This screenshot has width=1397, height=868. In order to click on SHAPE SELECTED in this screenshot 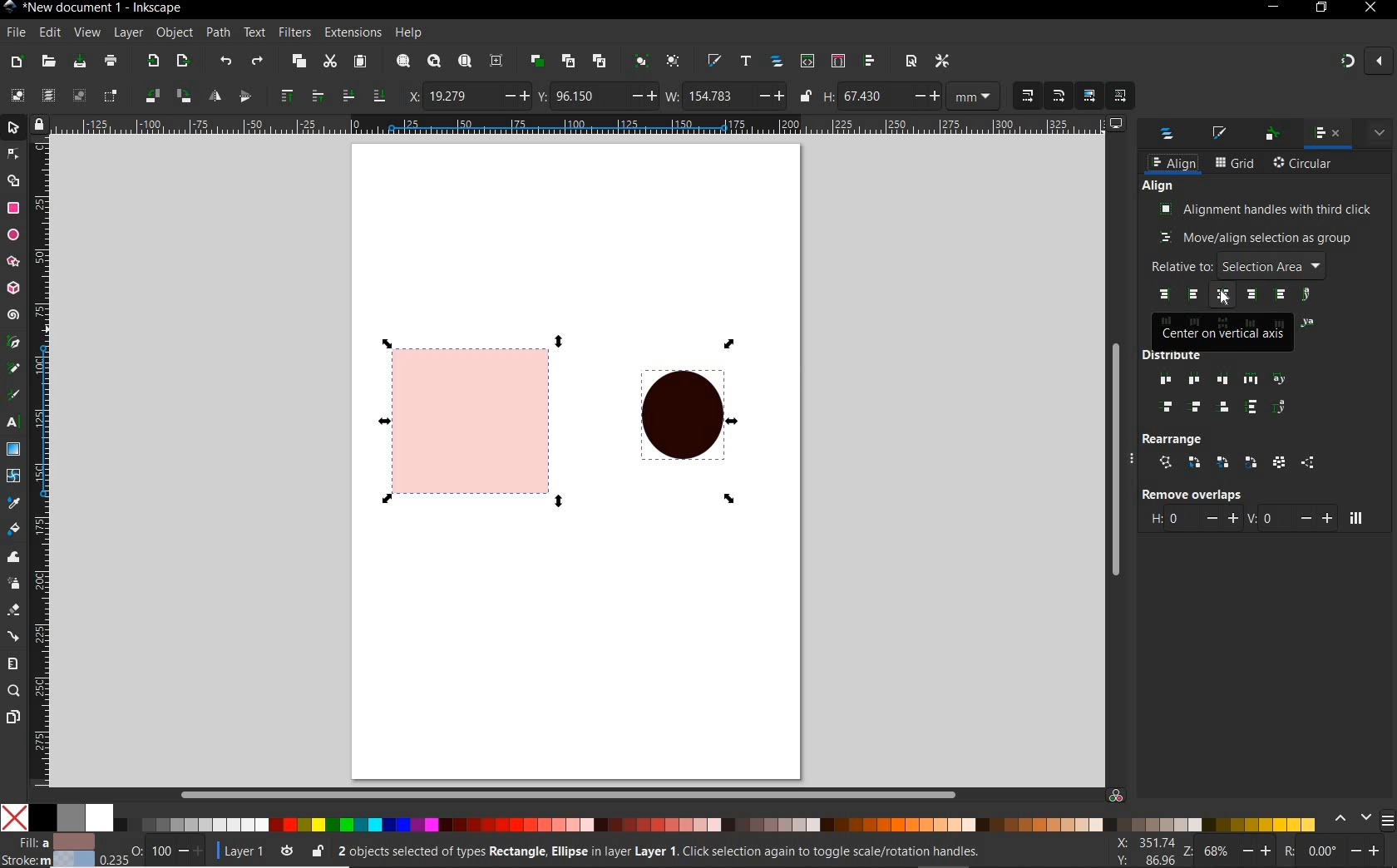, I will do `click(677, 421)`.